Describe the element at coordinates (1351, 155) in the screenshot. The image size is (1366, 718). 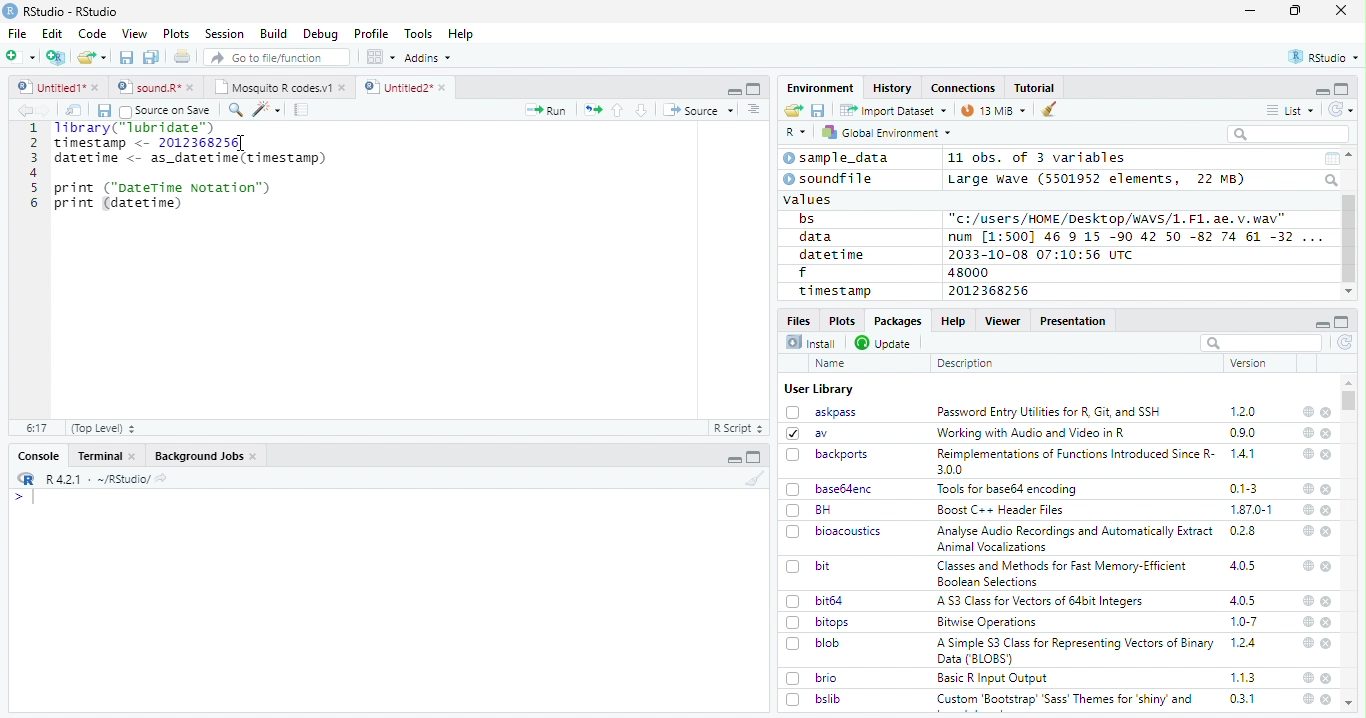
I see `scroll up` at that location.